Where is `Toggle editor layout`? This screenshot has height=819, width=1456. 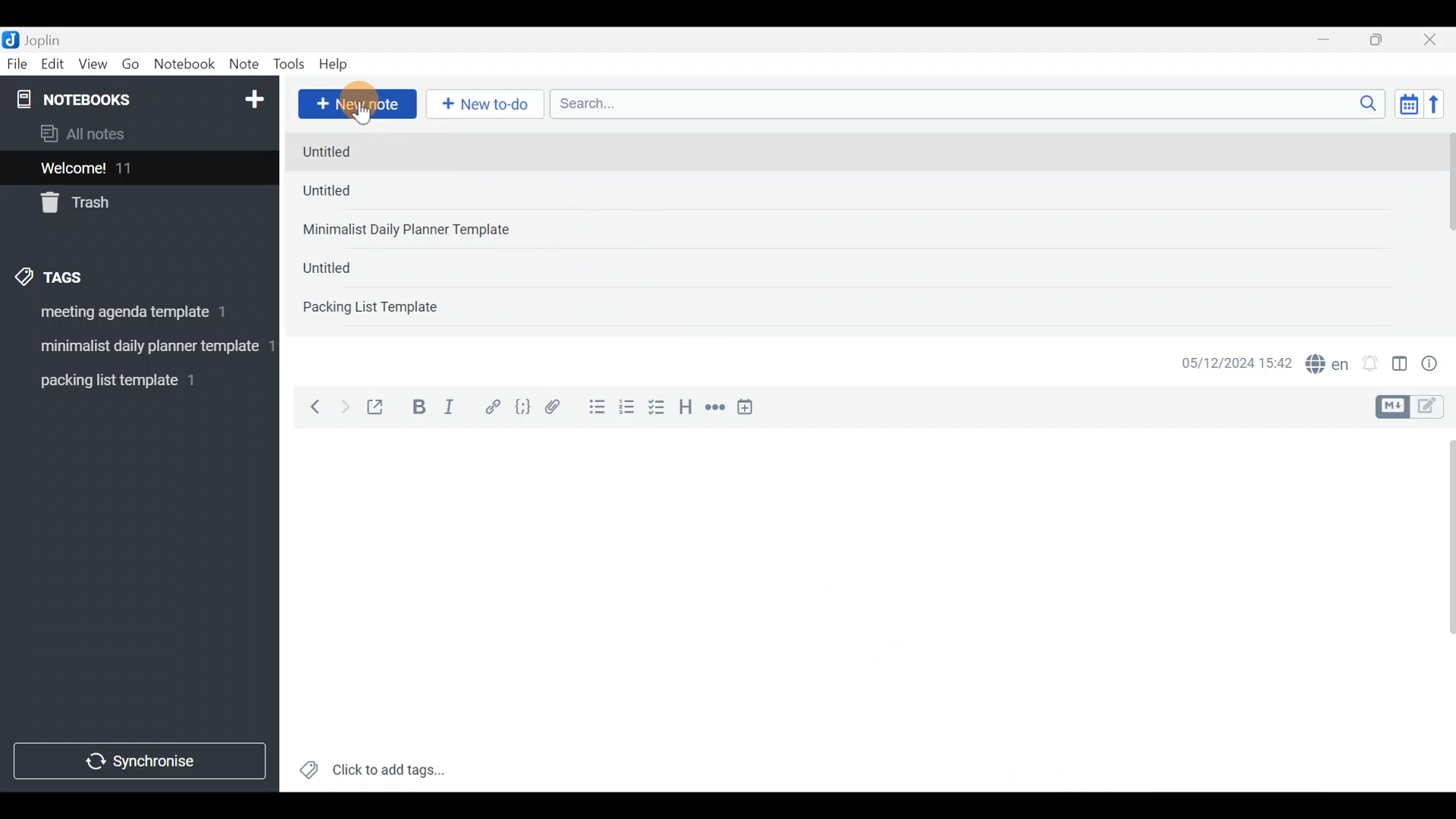 Toggle editor layout is located at coordinates (1401, 366).